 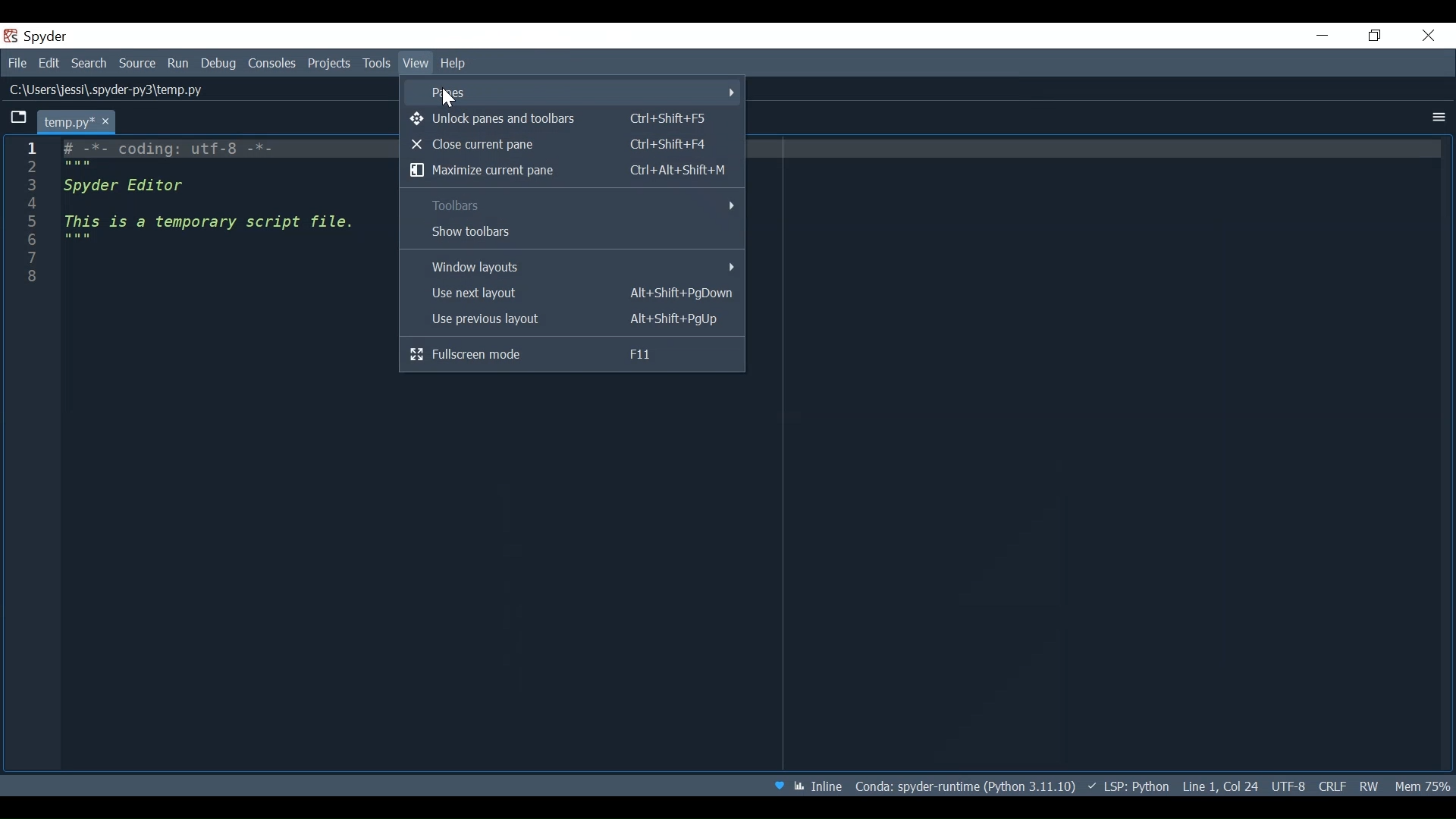 What do you see at coordinates (79, 120) in the screenshot?
I see `current tab` at bounding box center [79, 120].